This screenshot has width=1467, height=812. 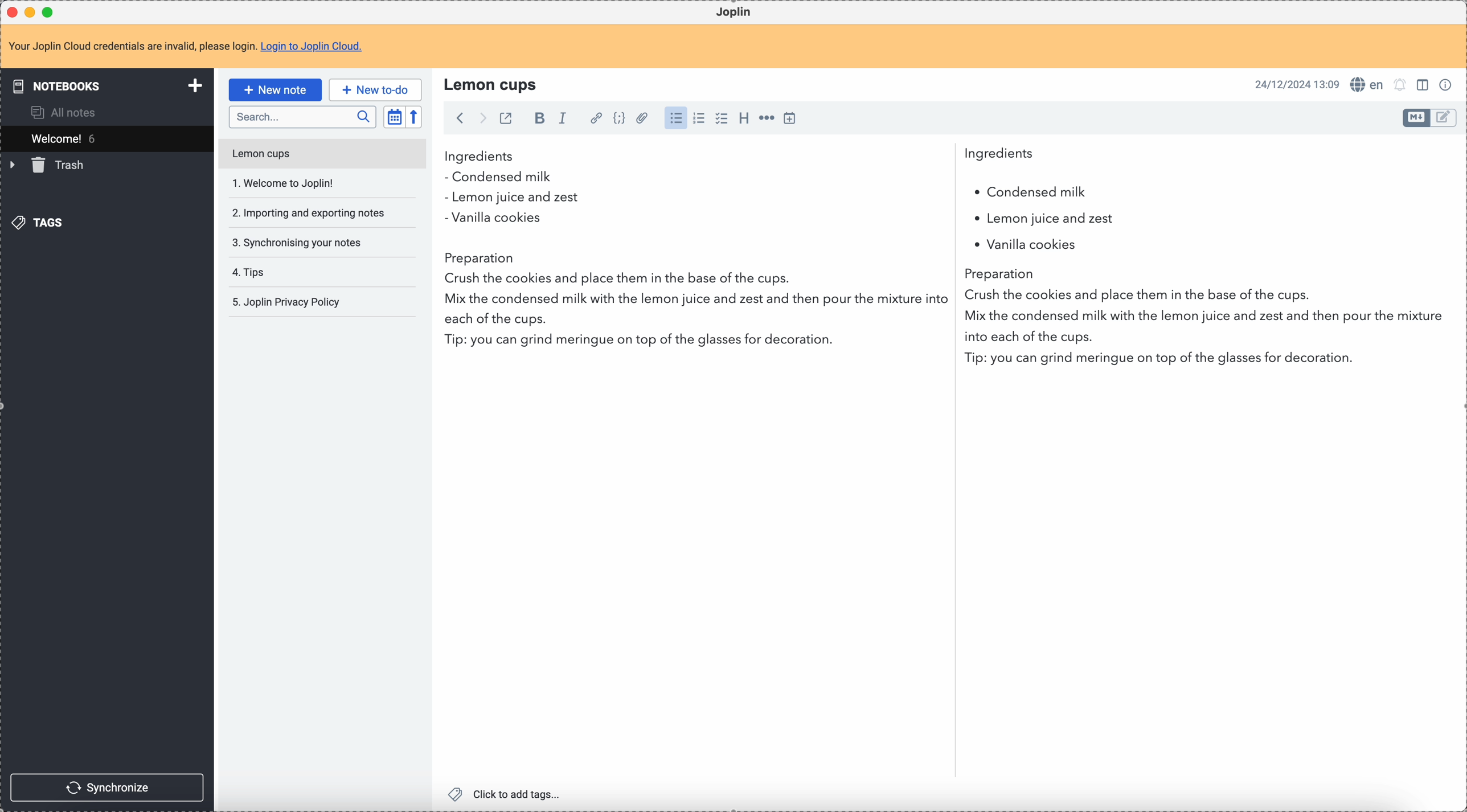 I want to click on code, so click(x=619, y=119).